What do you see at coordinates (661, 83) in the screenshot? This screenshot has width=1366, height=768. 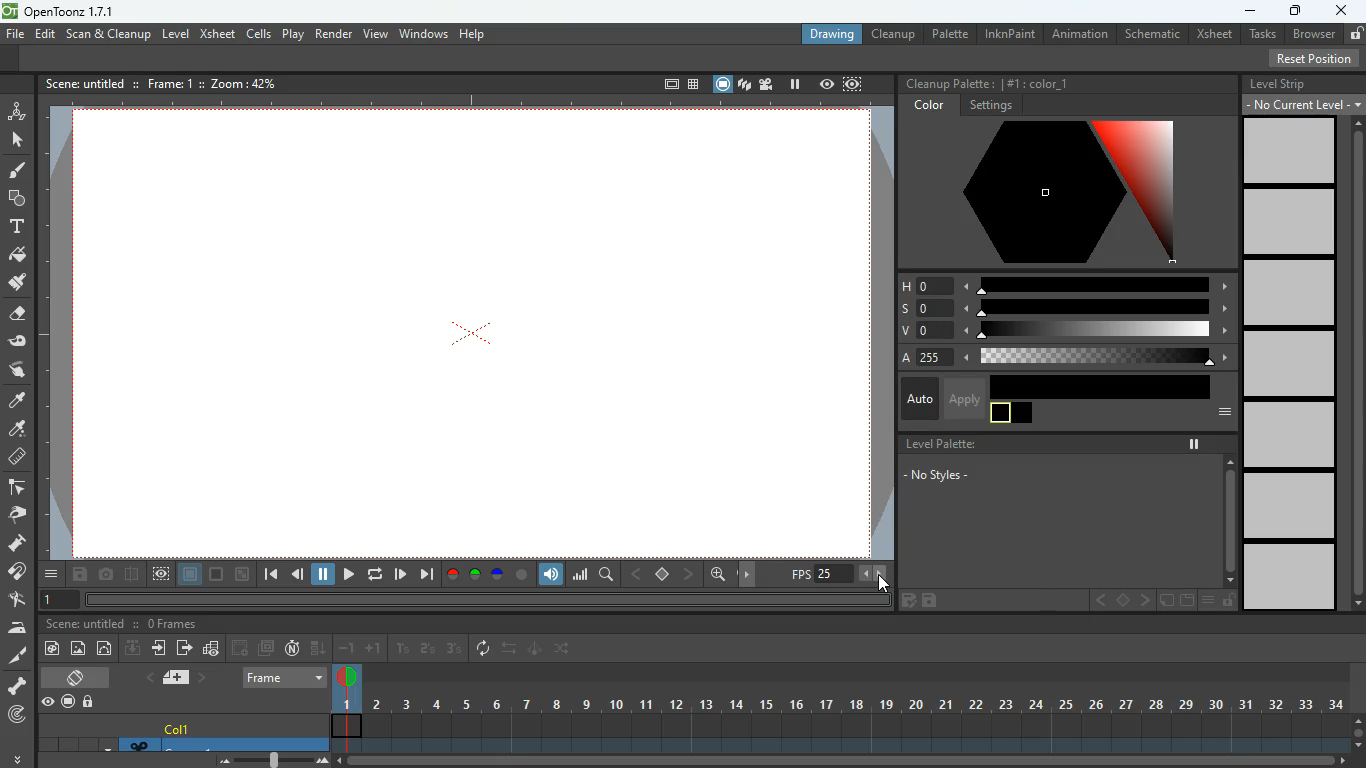 I see `frame` at bounding box center [661, 83].